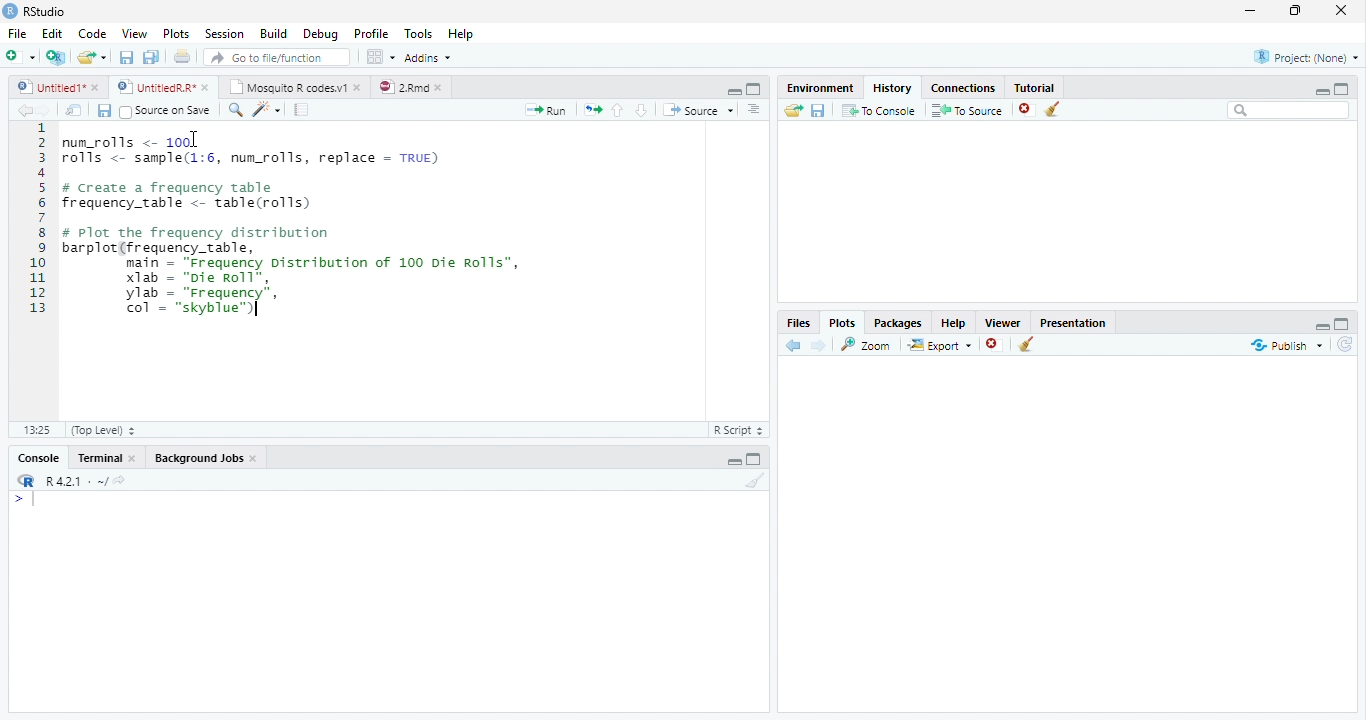 The width and height of the screenshot is (1366, 720). Describe the element at coordinates (821, 87) in the screenshot. I see `Environment` at that location.